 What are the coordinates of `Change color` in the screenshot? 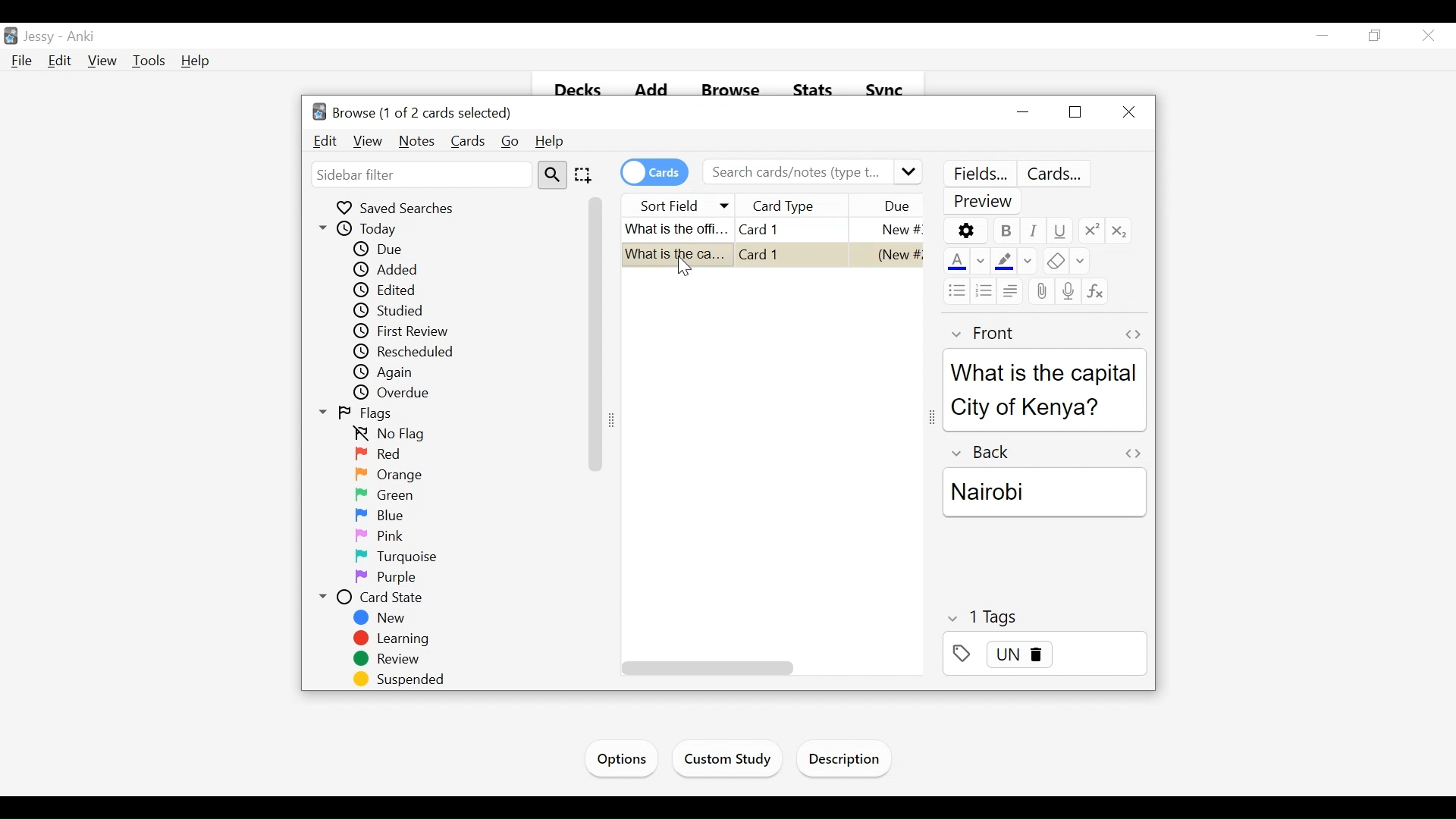 It's located at (1080, 262).